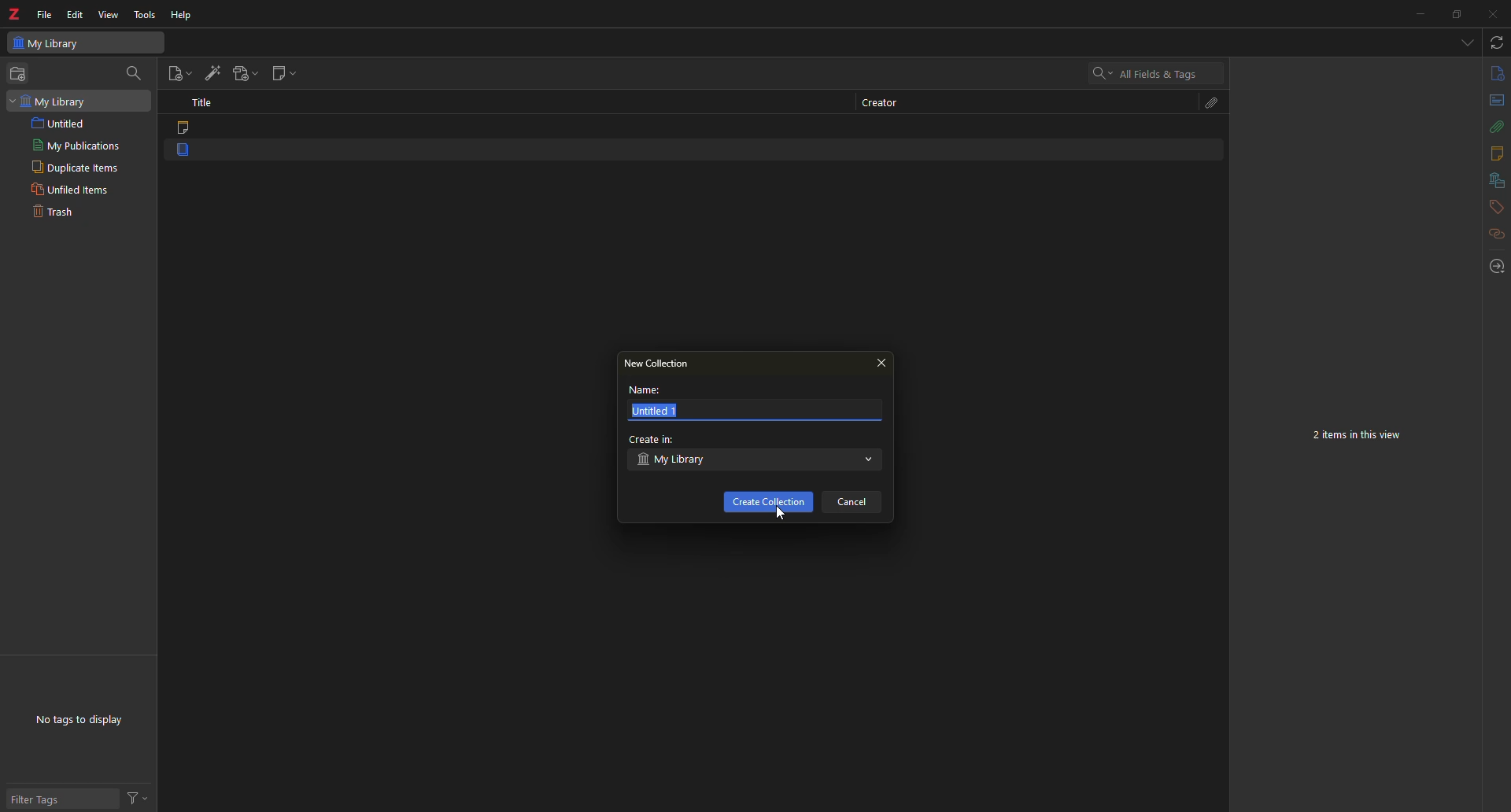  I want to click on Cursor, so click(781, 515).